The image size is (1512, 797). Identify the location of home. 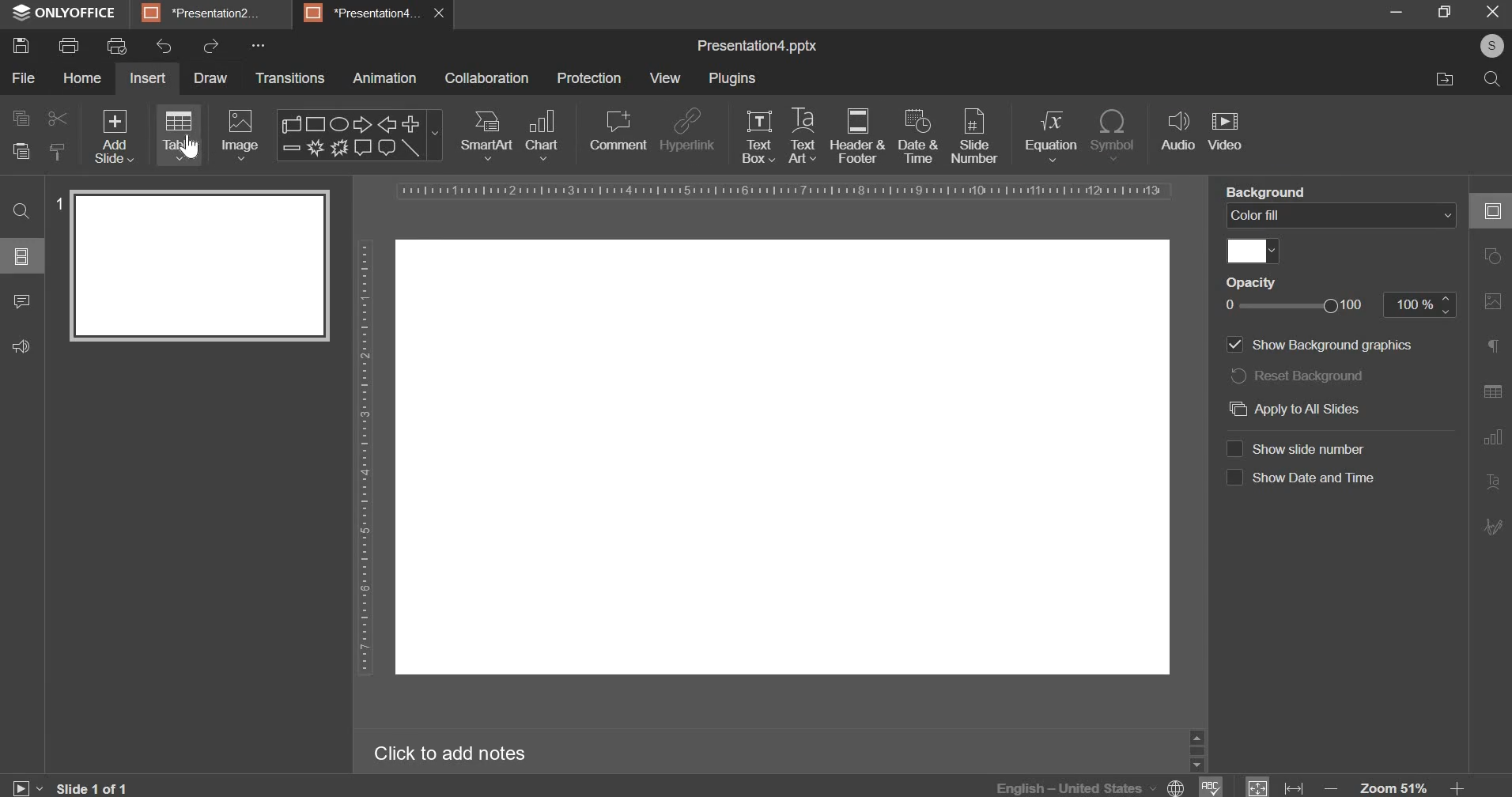
(83, 77).